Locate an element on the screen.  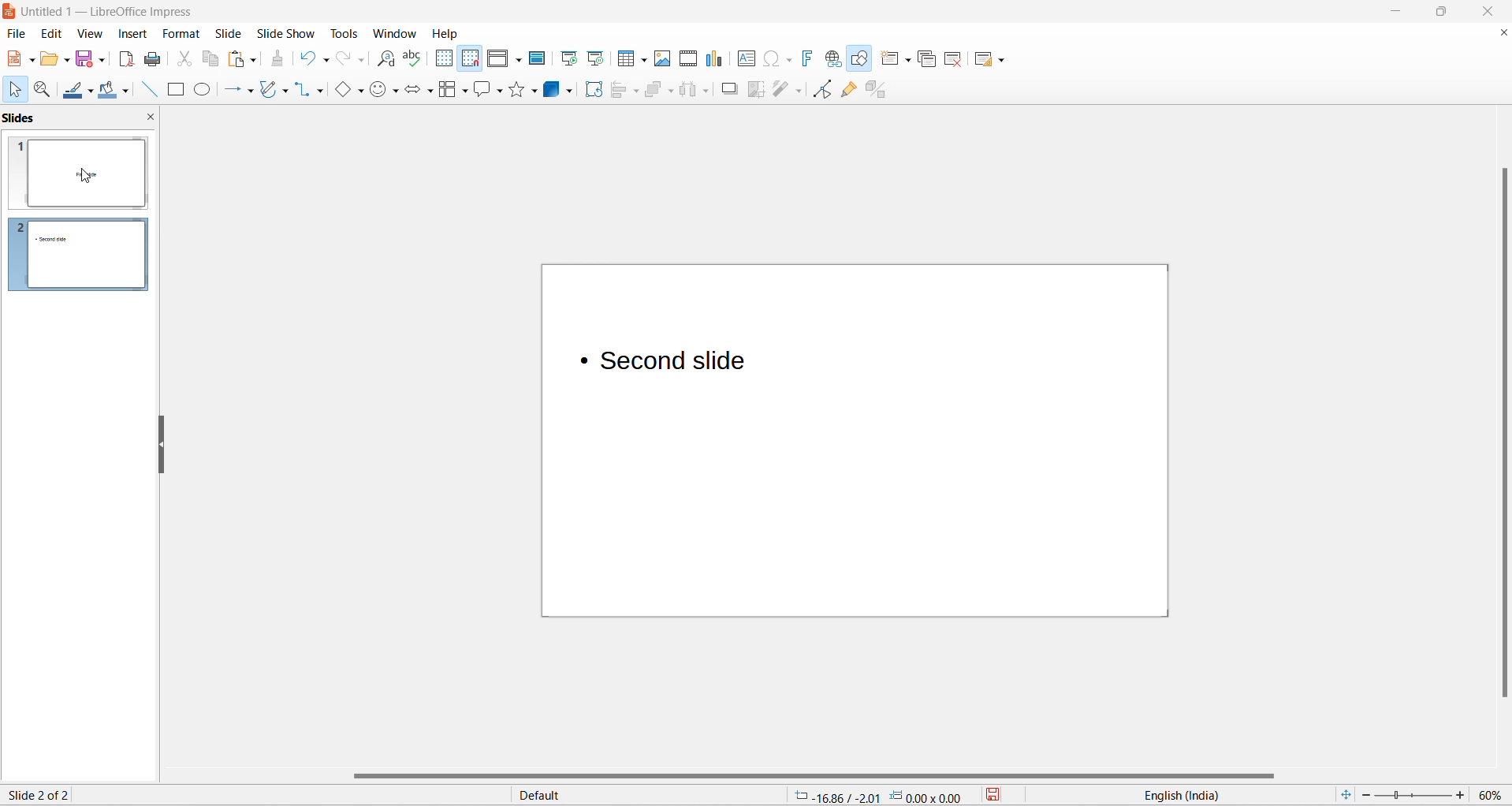
horizontal scroll bar is located at coordinates (818, 775).